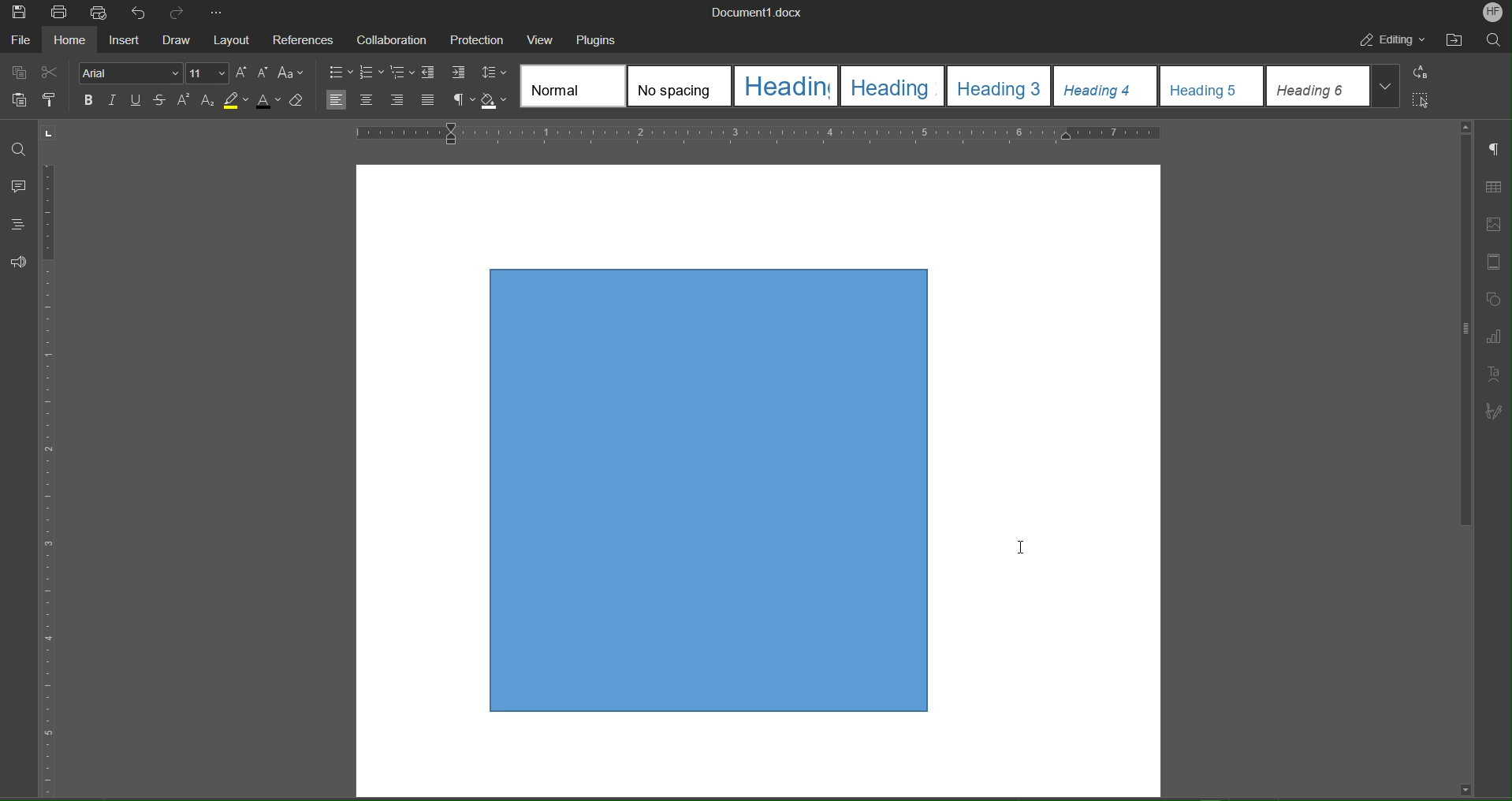 This screenshot has height=801, width=1512. I want to click on Vertical scroll bar, so click(1460, 337).